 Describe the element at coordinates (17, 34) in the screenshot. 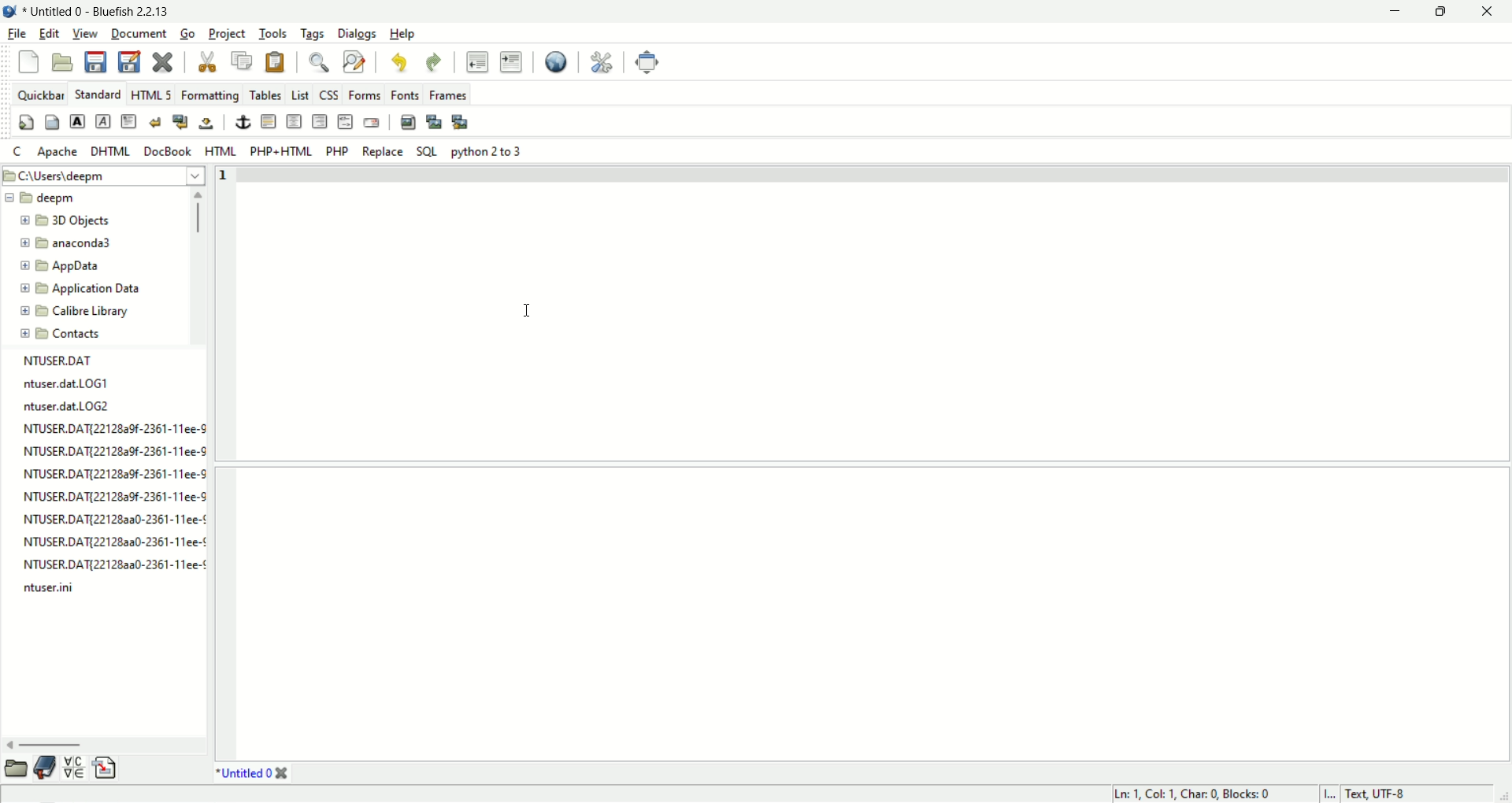

I see `file` at that location.